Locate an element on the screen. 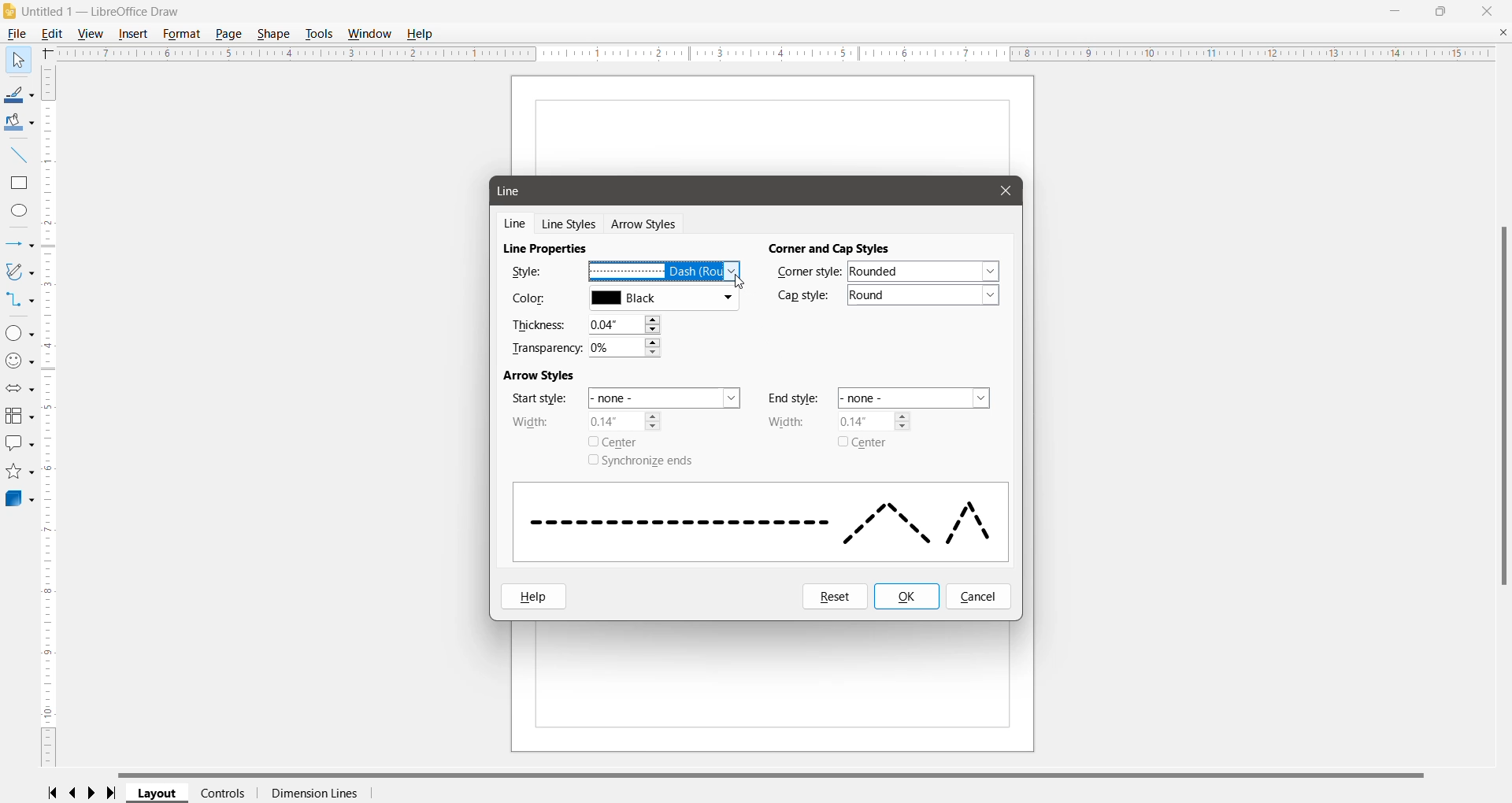  Document Title - Application Name is located at coordinates (108, 12).